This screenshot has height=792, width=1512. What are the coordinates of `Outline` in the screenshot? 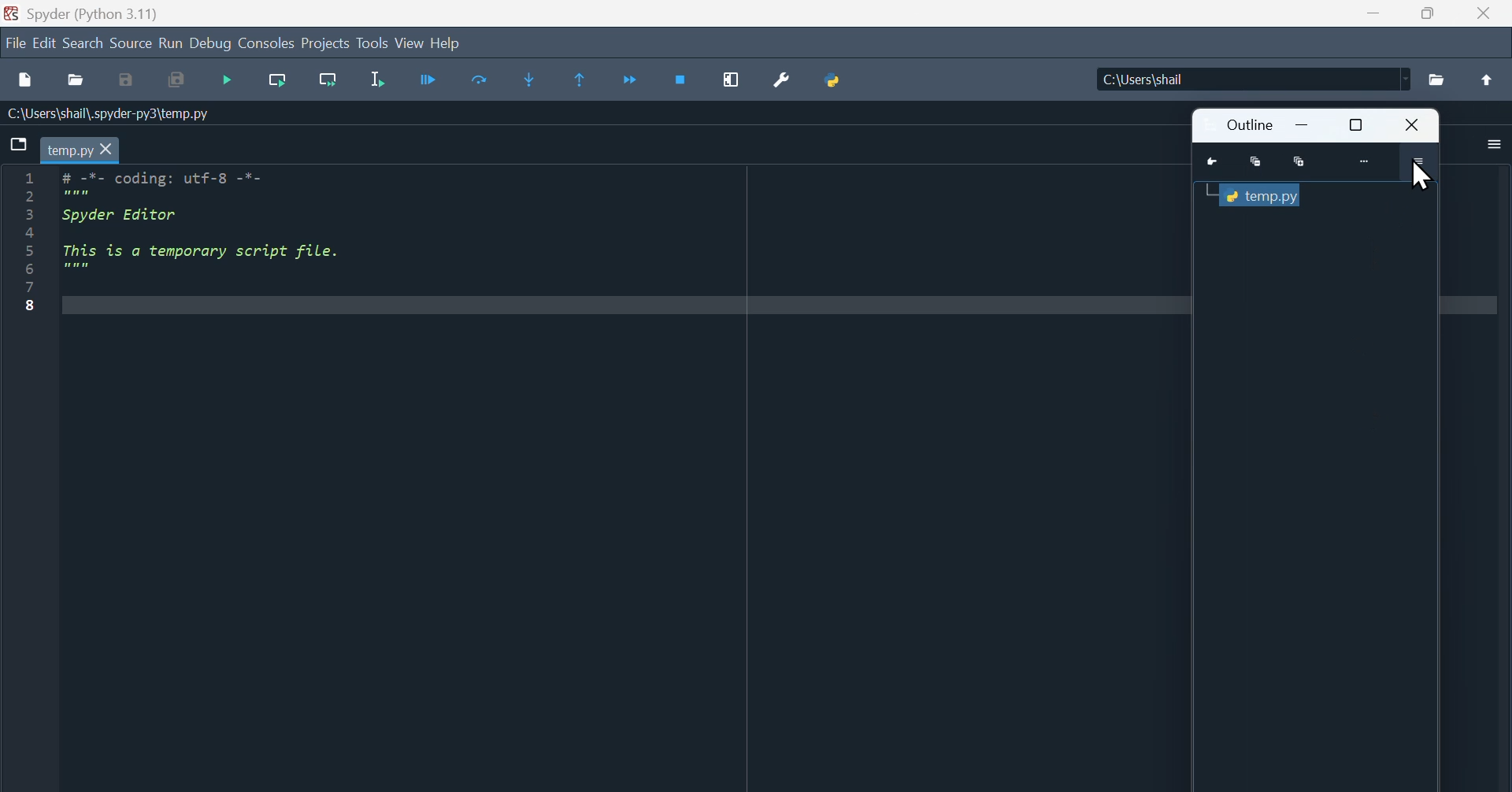 It's located at (1247, 125).